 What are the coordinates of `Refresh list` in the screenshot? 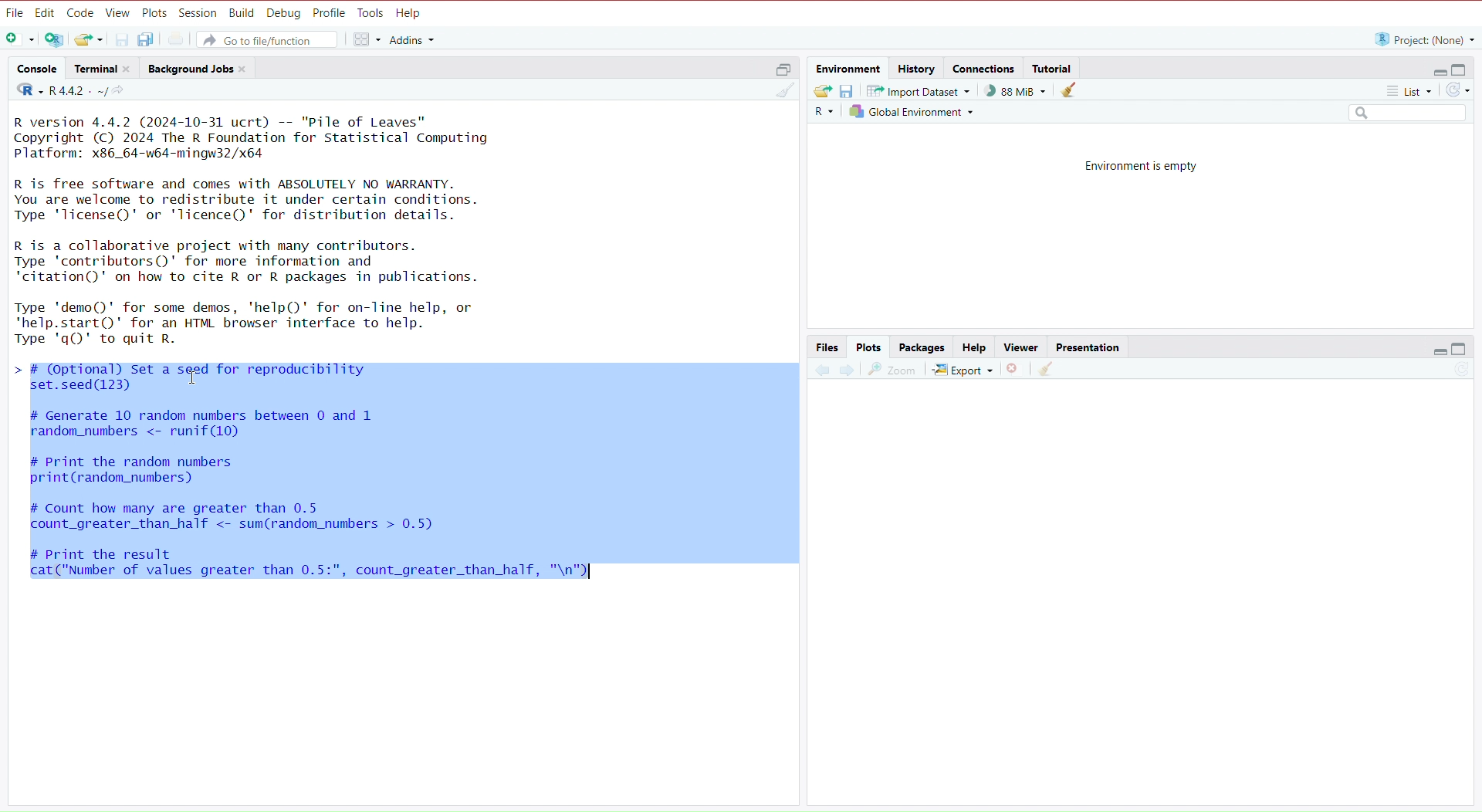 It's located at (1456, 90).